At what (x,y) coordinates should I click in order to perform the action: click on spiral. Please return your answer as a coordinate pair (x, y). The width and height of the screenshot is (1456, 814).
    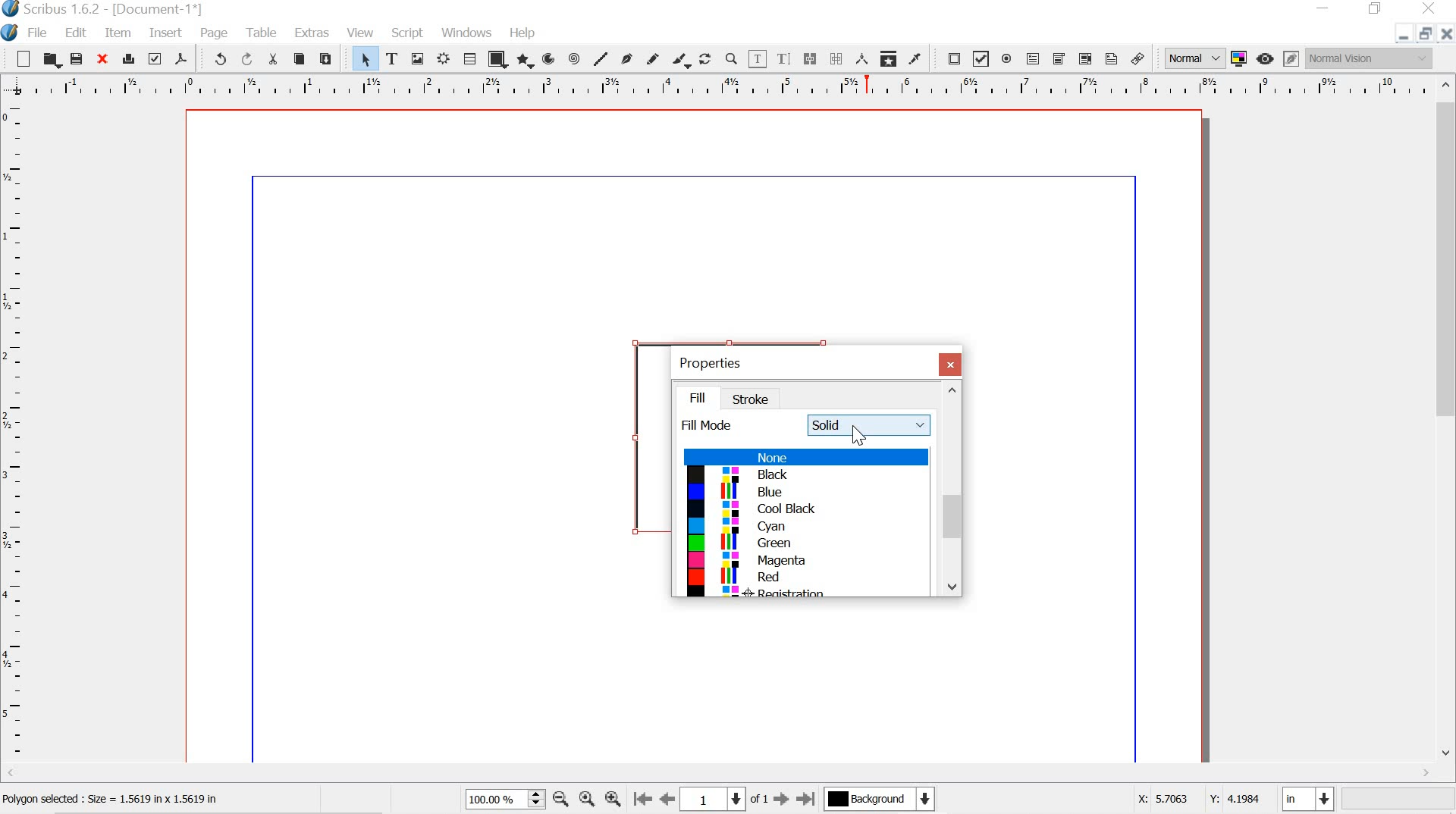
    Looking at the image, I should click on (575, 58).